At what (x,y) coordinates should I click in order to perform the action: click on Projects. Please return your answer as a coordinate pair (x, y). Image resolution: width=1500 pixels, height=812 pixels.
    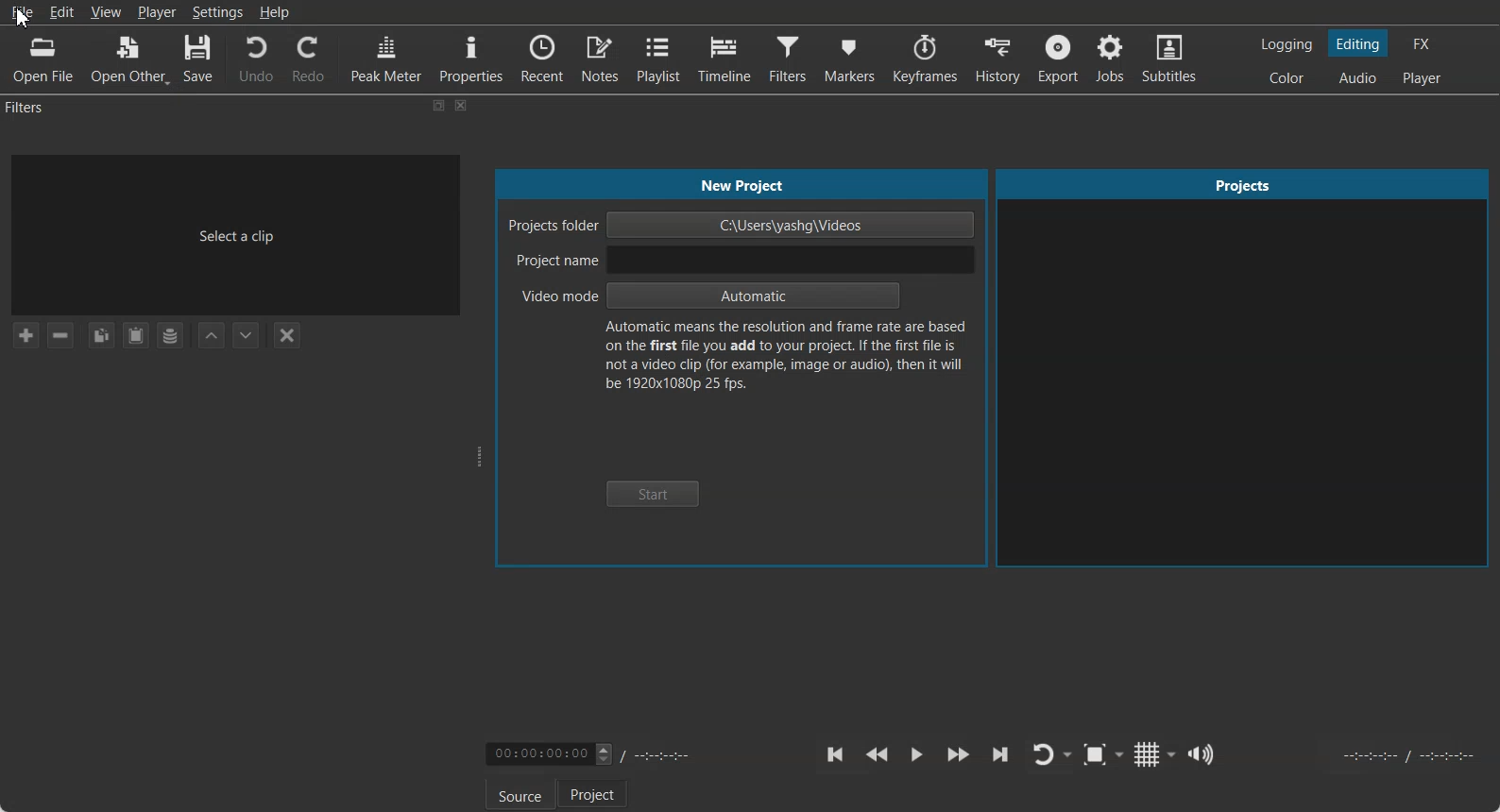
    Looking at the image, I should click on (1240, 364).